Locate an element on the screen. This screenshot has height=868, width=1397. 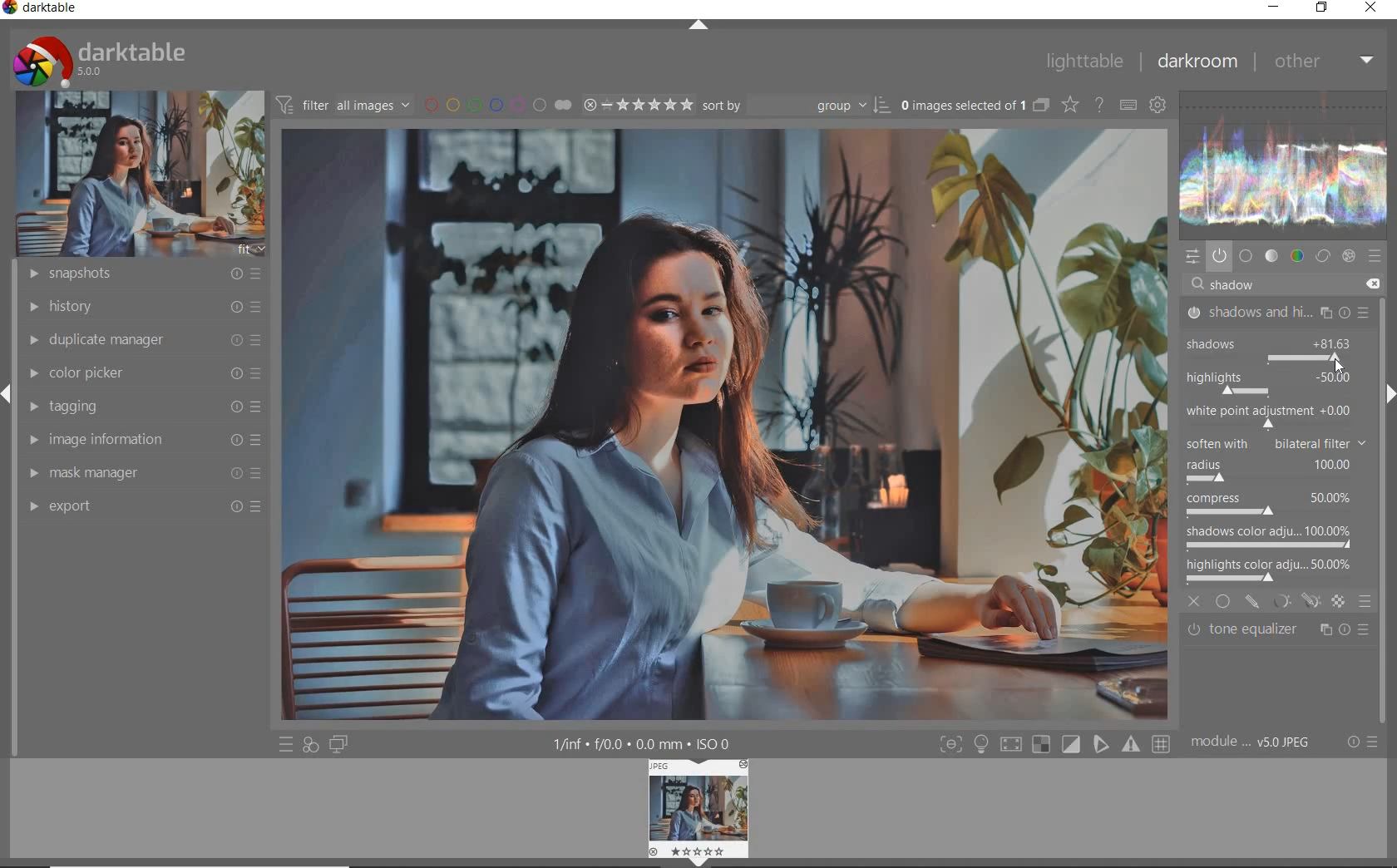
expand/collapse is located at coordinates (1389, 394).